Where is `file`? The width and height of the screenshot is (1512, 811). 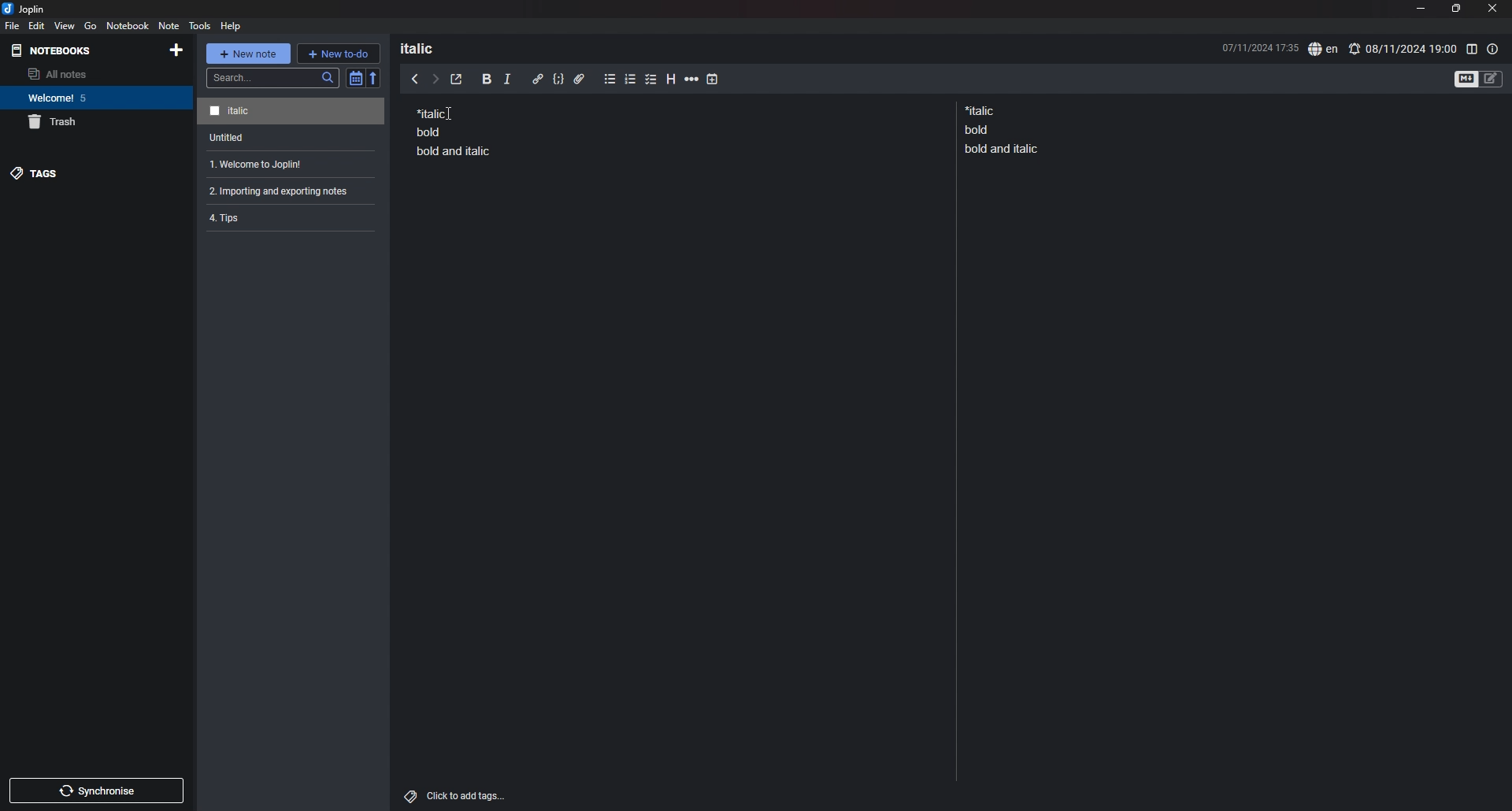
file is located at coordinates (13, 25).